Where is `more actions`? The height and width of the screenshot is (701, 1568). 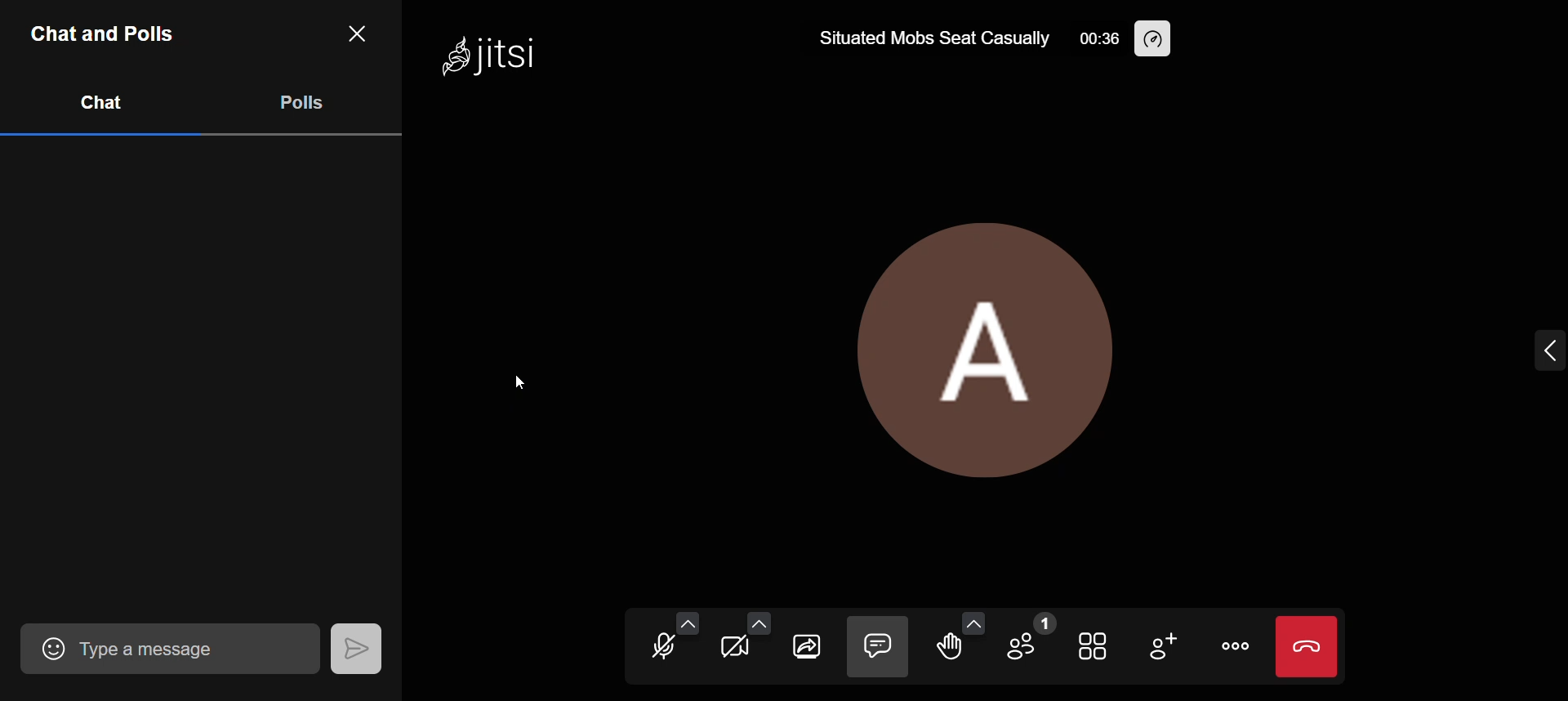
more actions is located at coordinates (1231, 646).